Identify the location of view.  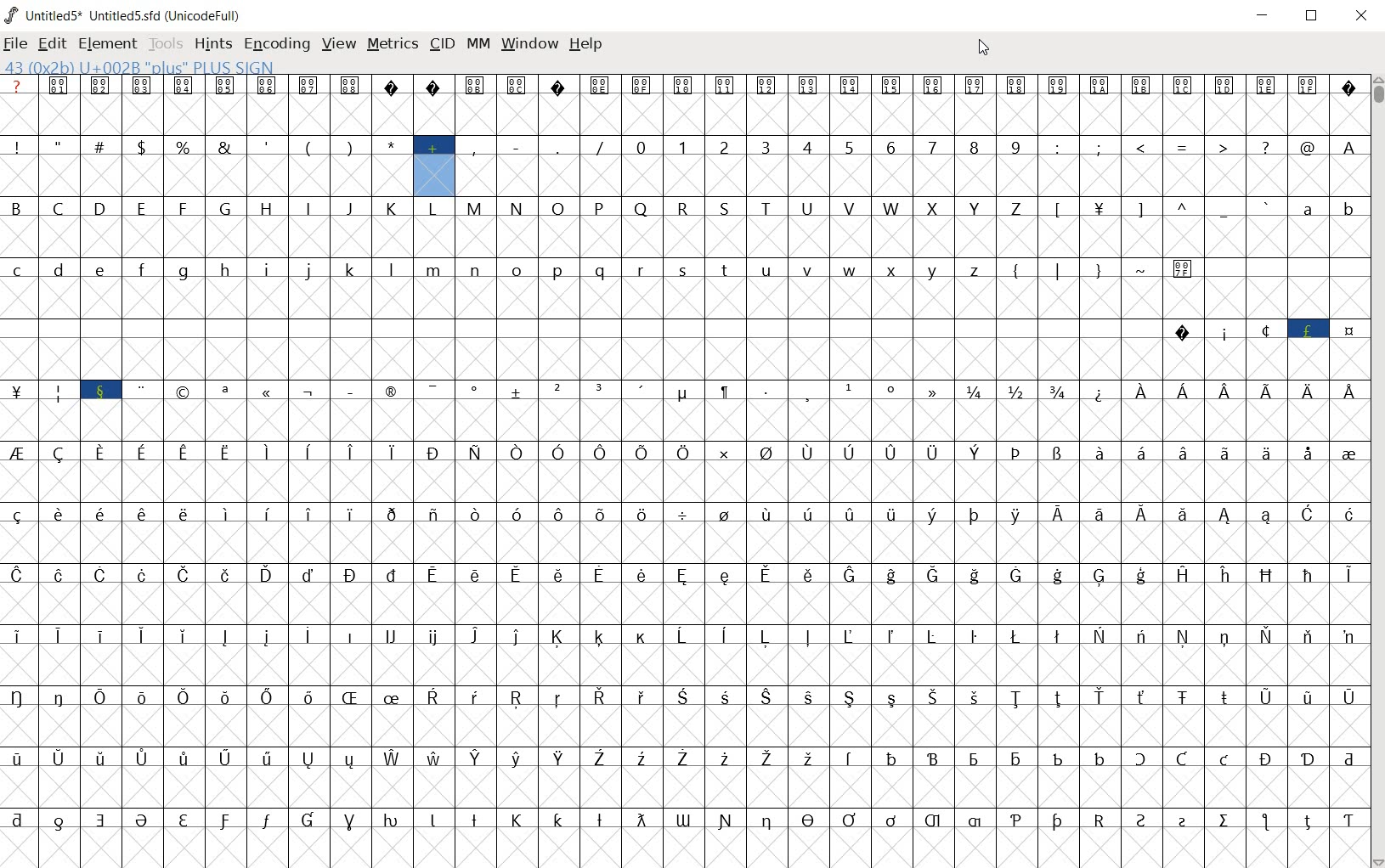
(337, 45).